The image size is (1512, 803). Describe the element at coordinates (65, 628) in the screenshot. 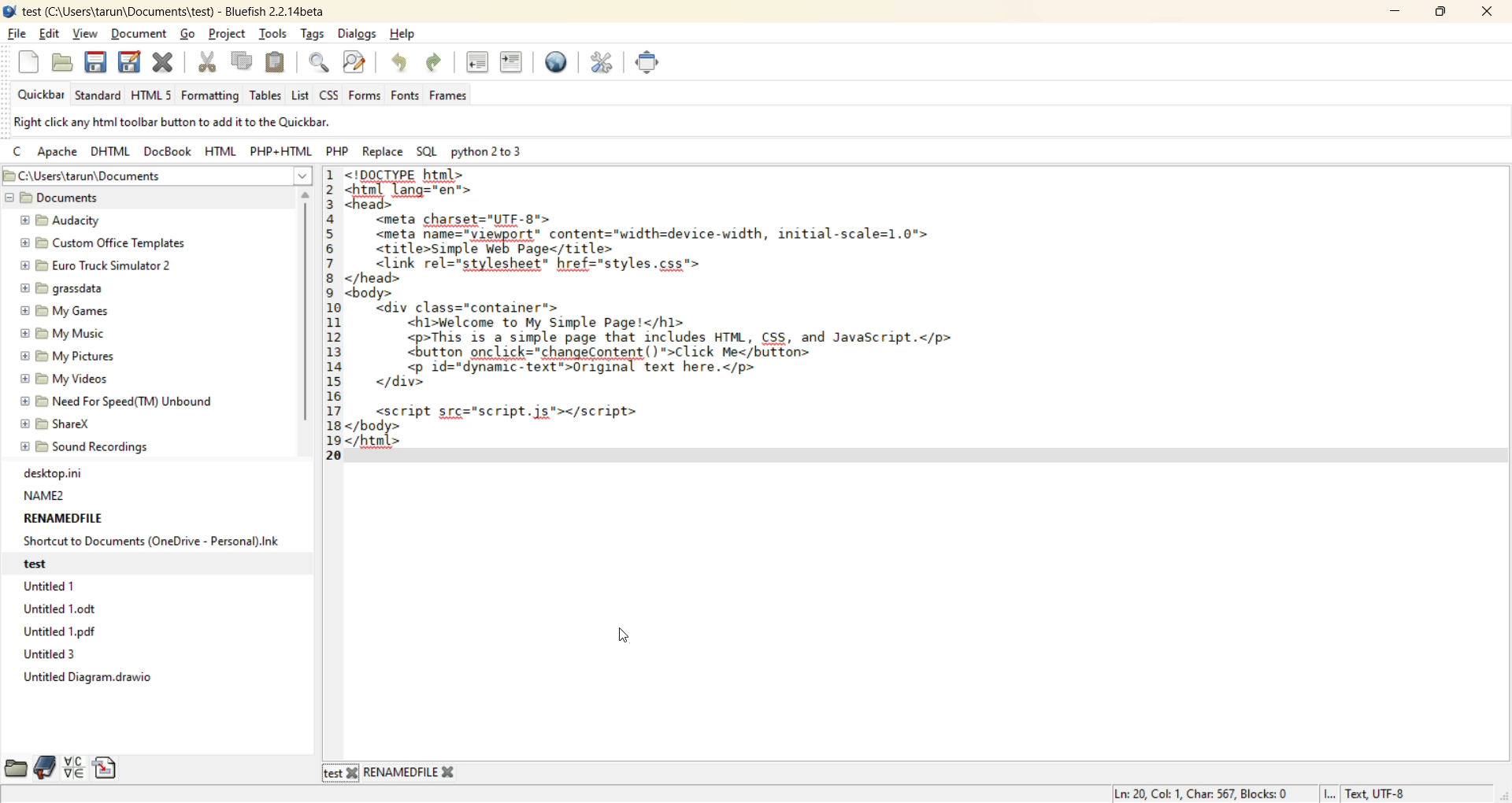

I see `Untitled 1 odf` at that location.